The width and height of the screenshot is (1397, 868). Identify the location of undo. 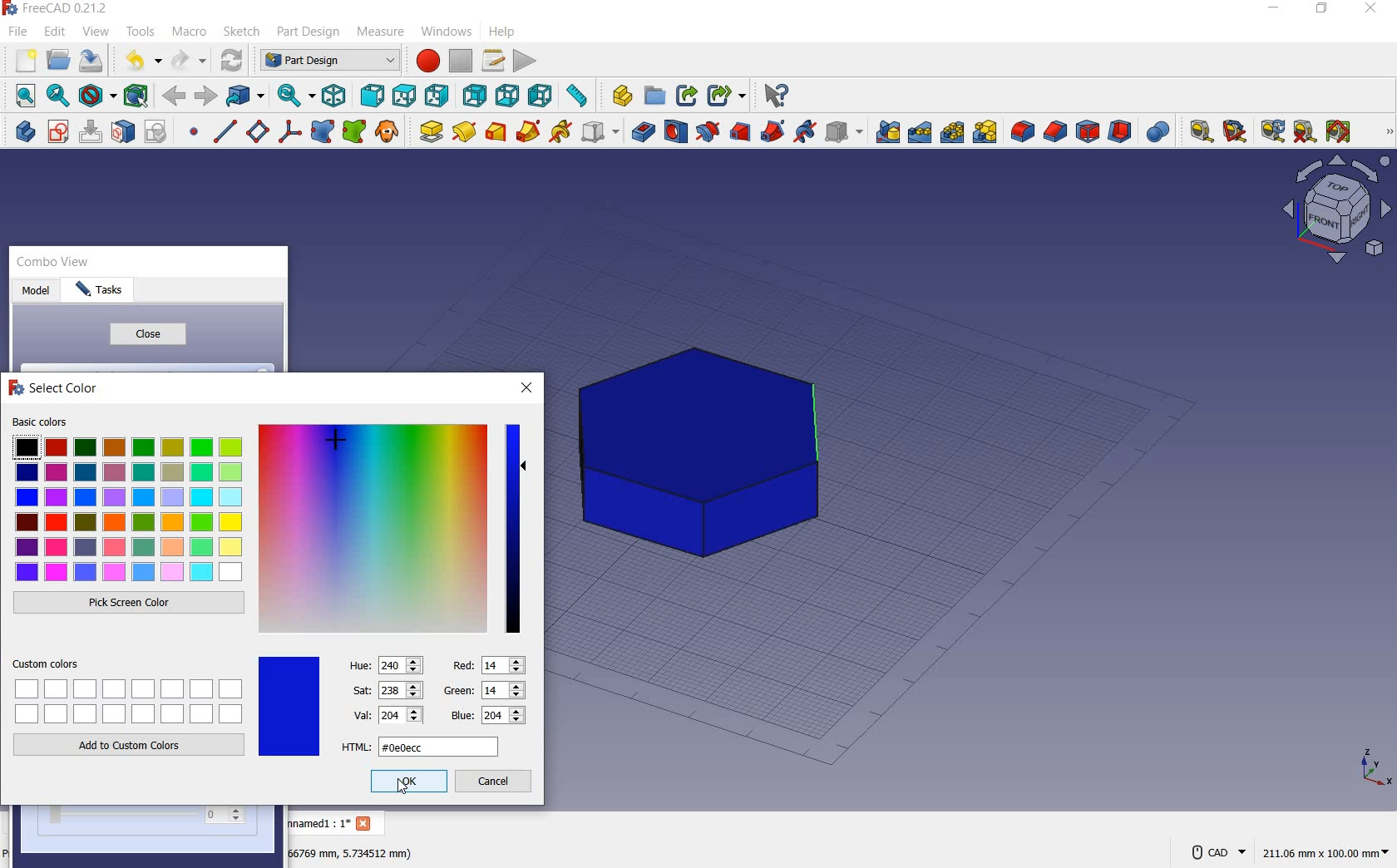
(141, 62).